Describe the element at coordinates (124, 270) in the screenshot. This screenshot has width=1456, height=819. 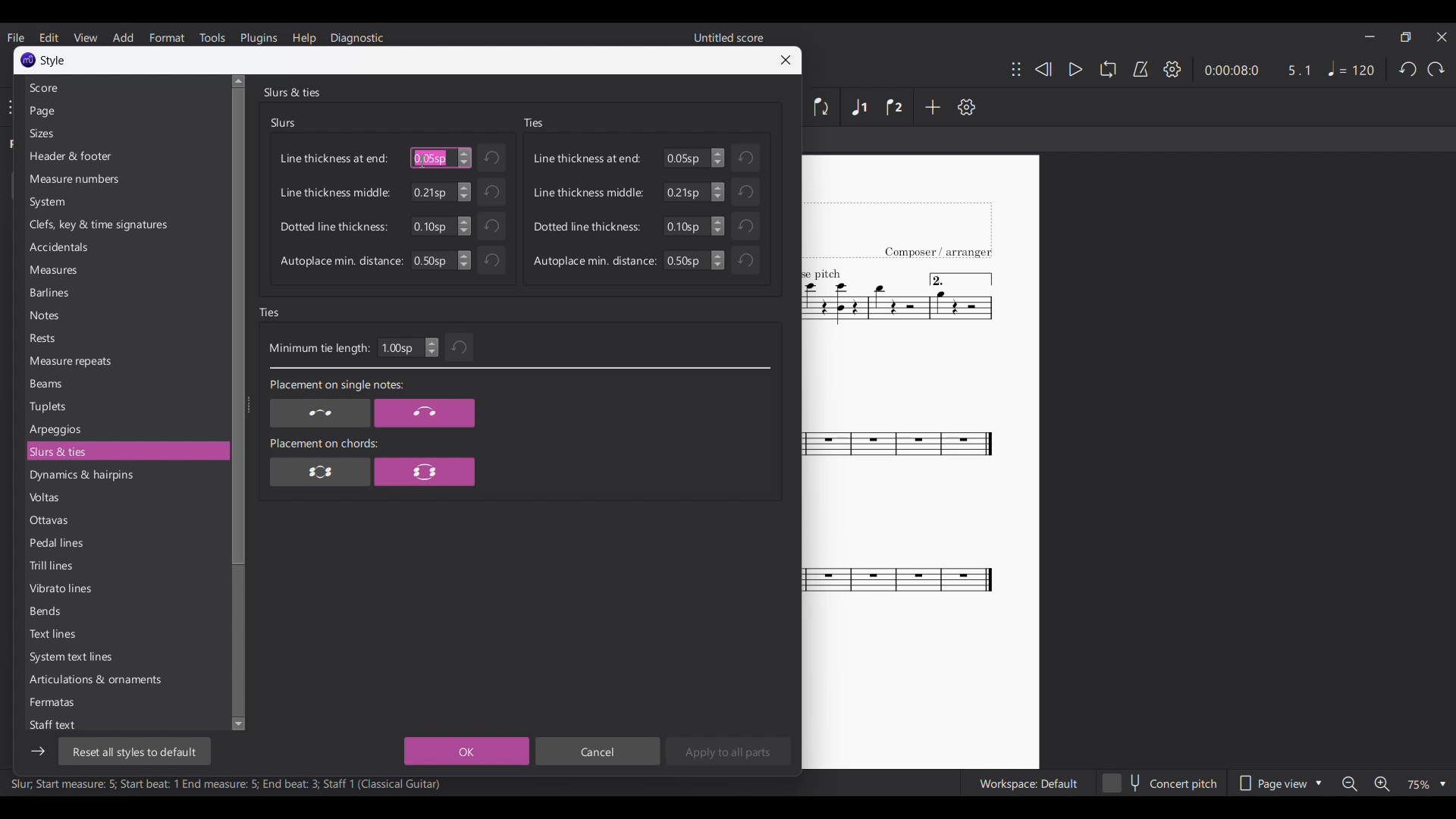
I see `Measures` at that location.